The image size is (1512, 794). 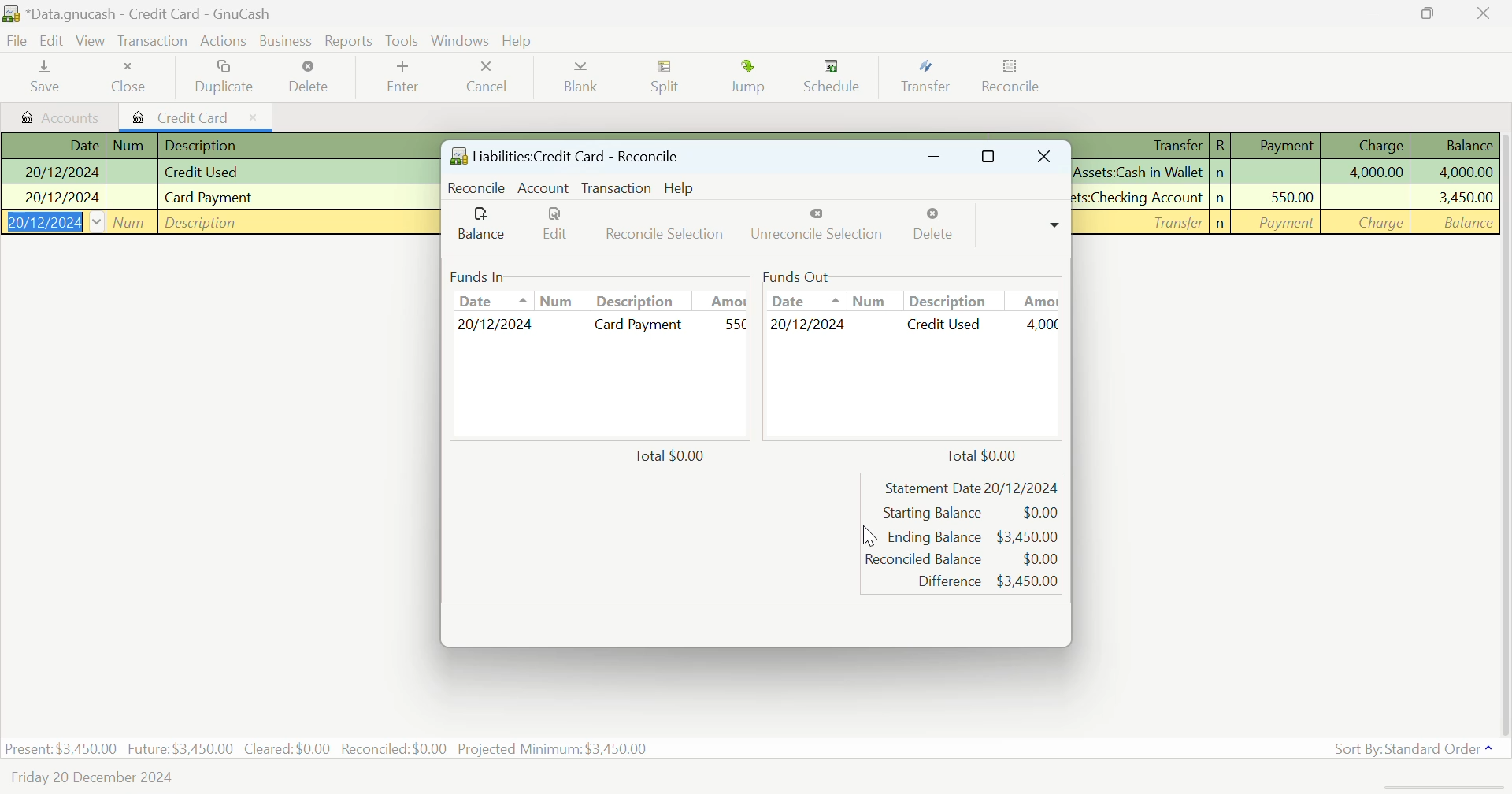 I want to click on Help, so click(x=680, y=187).